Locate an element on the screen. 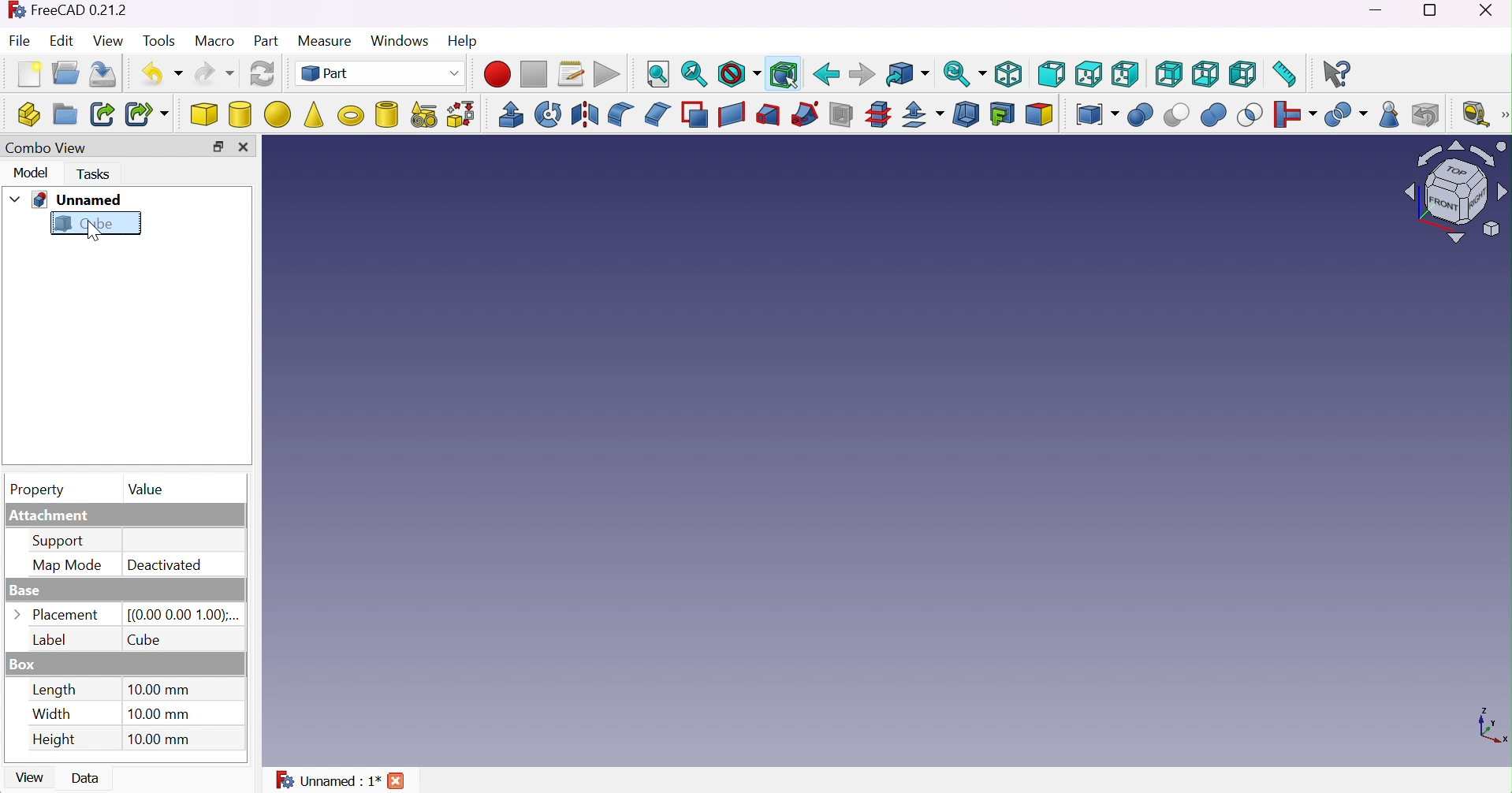 The width and height of the screenshot is (1512, 793). Torus is located at coordinates (351, 115).